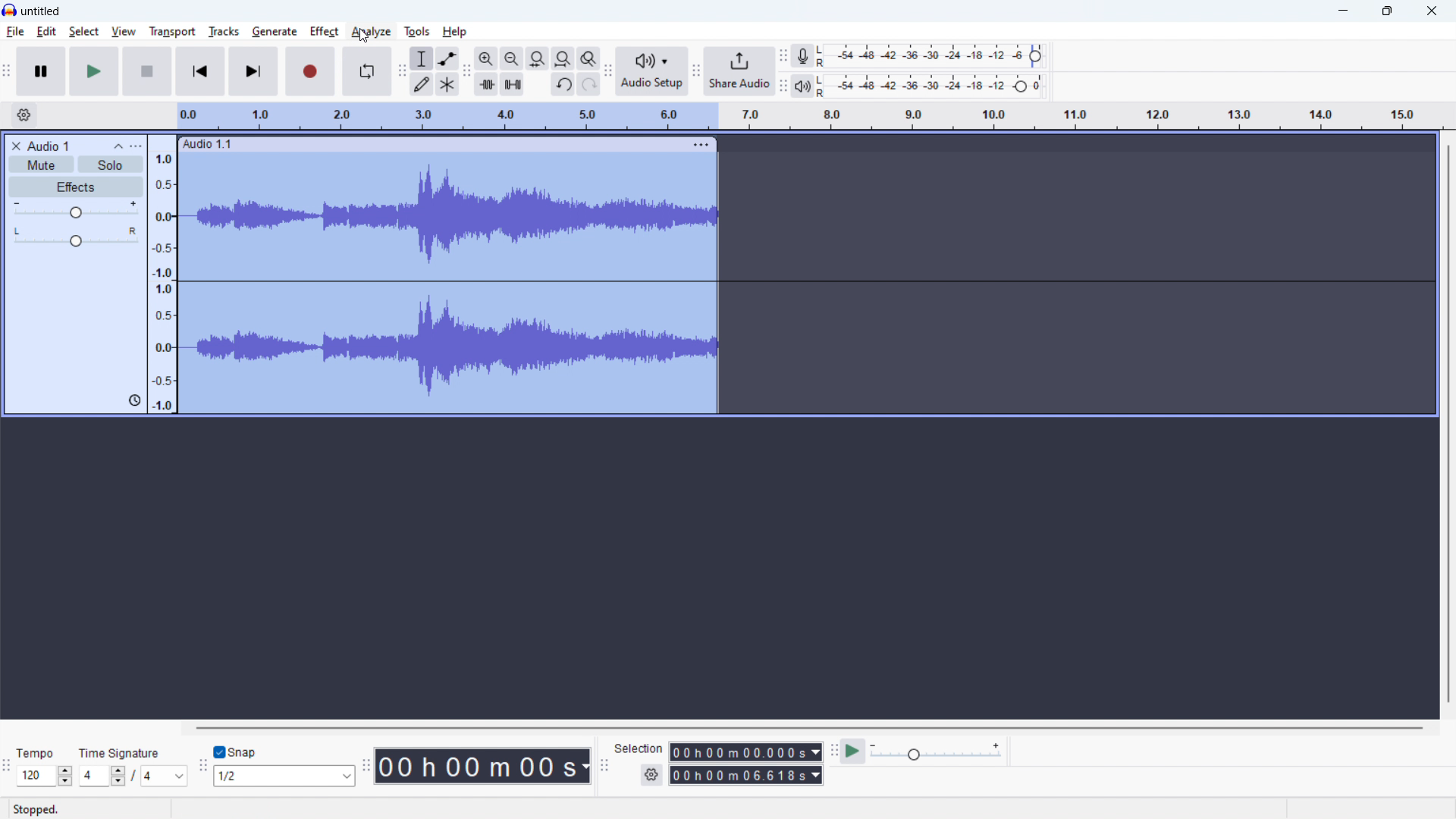 The width and height of the screenshot is (1456, 819). Describe the element at coordinates (1432, 11) in the screenshot. I see `close` at that location.